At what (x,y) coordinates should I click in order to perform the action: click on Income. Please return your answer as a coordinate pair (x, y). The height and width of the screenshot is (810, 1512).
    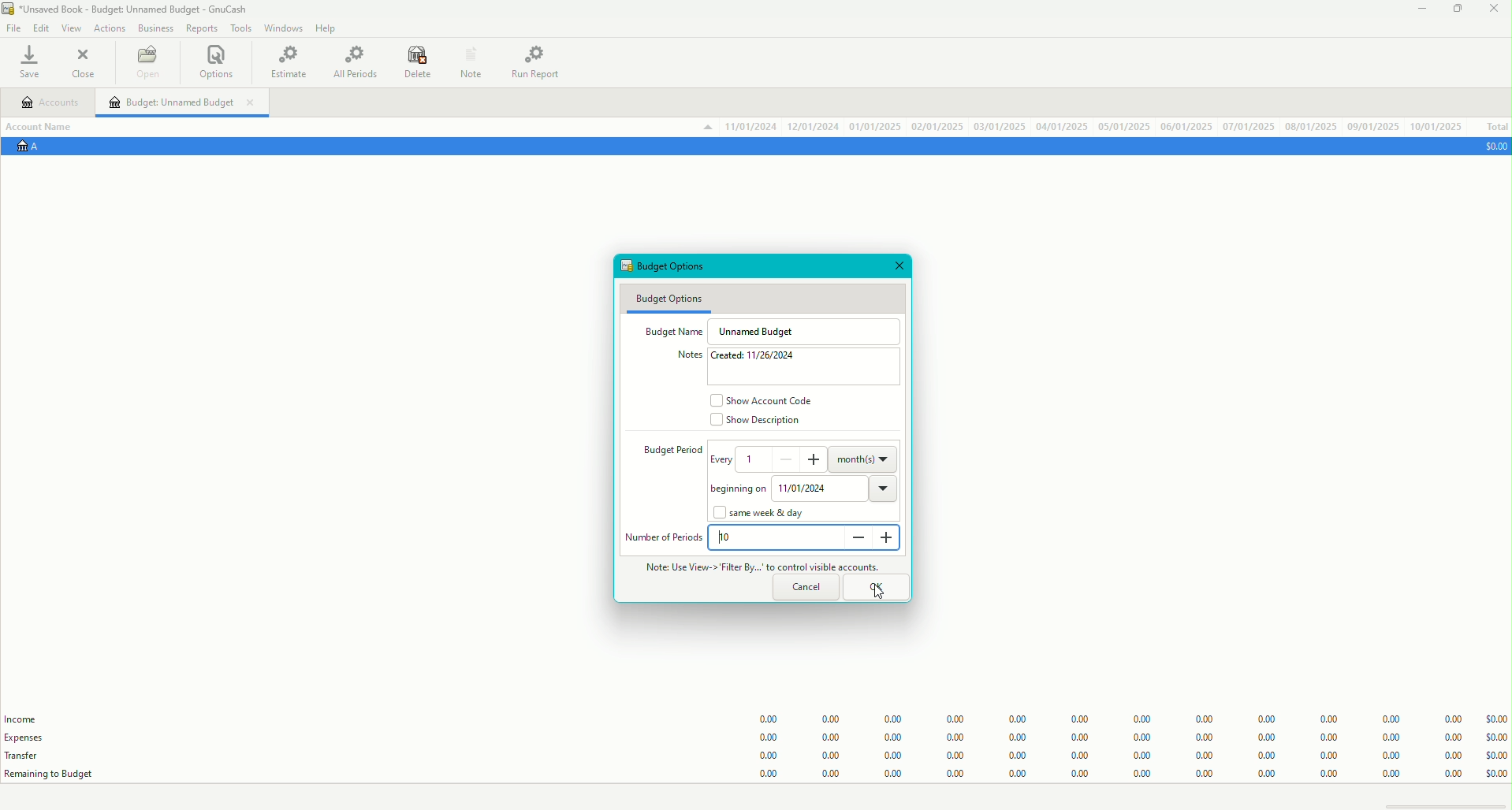
    Looking at the image, I should click on (24, 719).